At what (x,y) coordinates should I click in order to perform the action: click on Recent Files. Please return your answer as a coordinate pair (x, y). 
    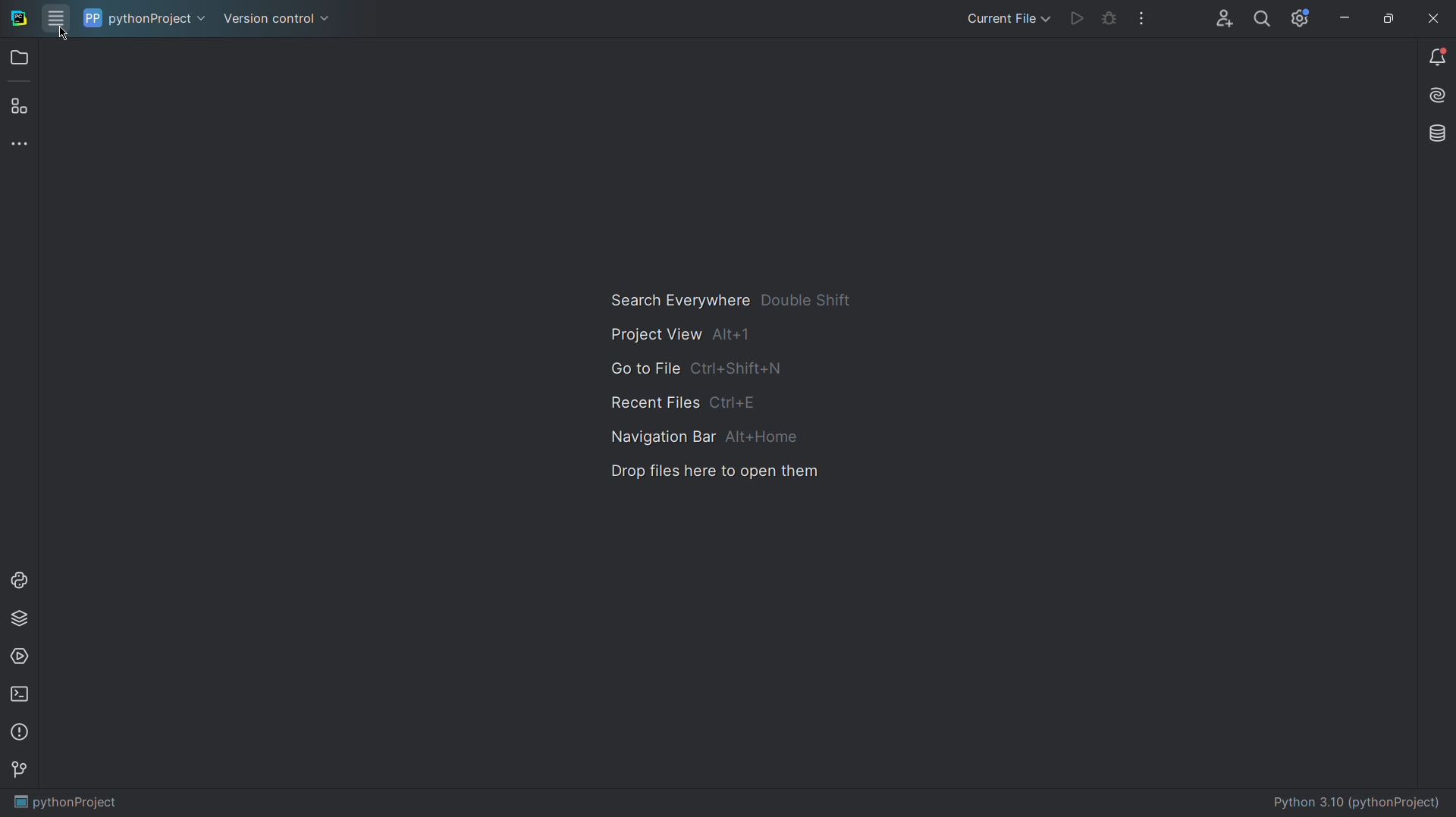
    Looking at the image, I should click on (697, 400).